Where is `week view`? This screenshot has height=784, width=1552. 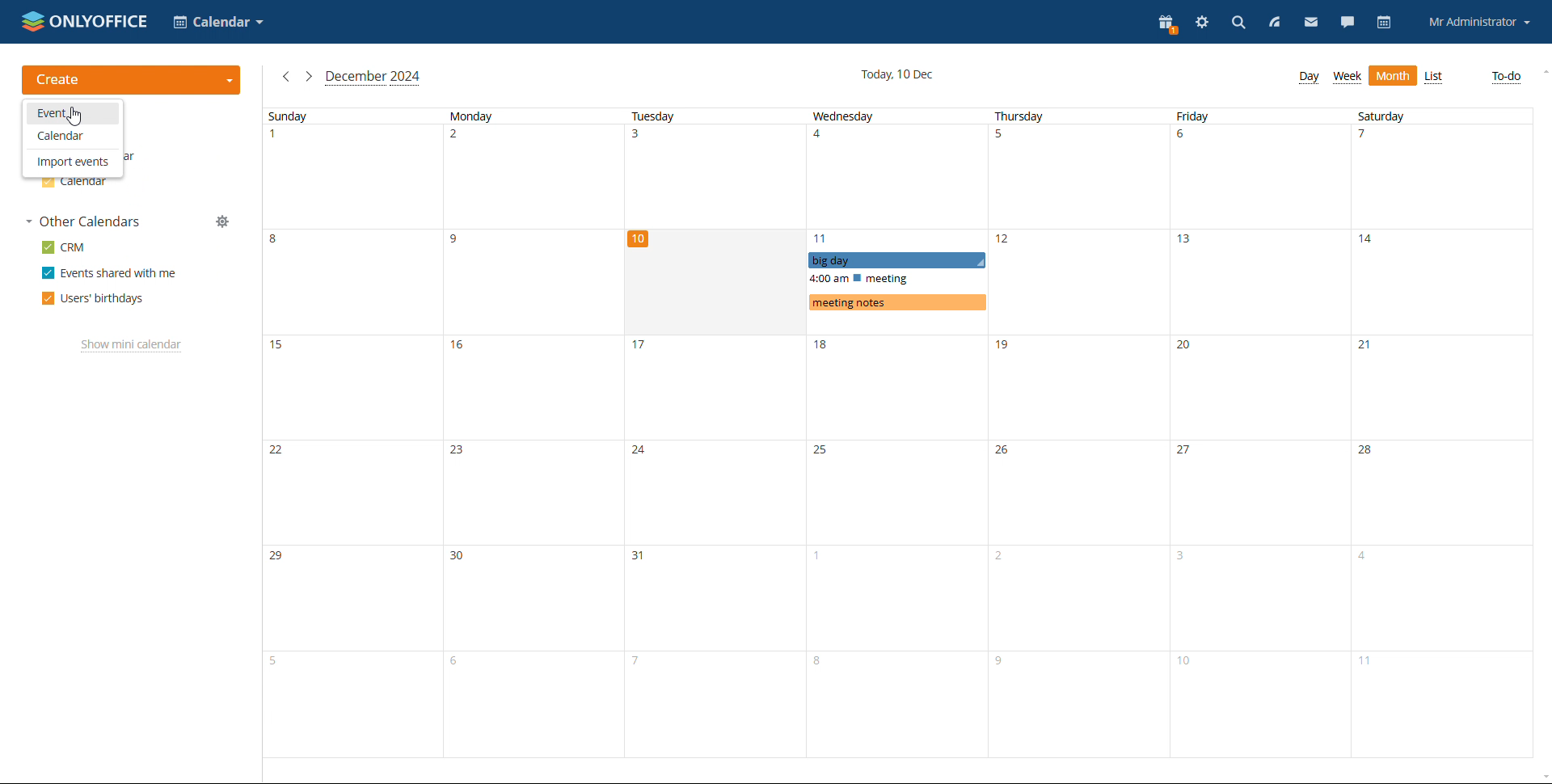
week view is located at coordinates (1347, 77).